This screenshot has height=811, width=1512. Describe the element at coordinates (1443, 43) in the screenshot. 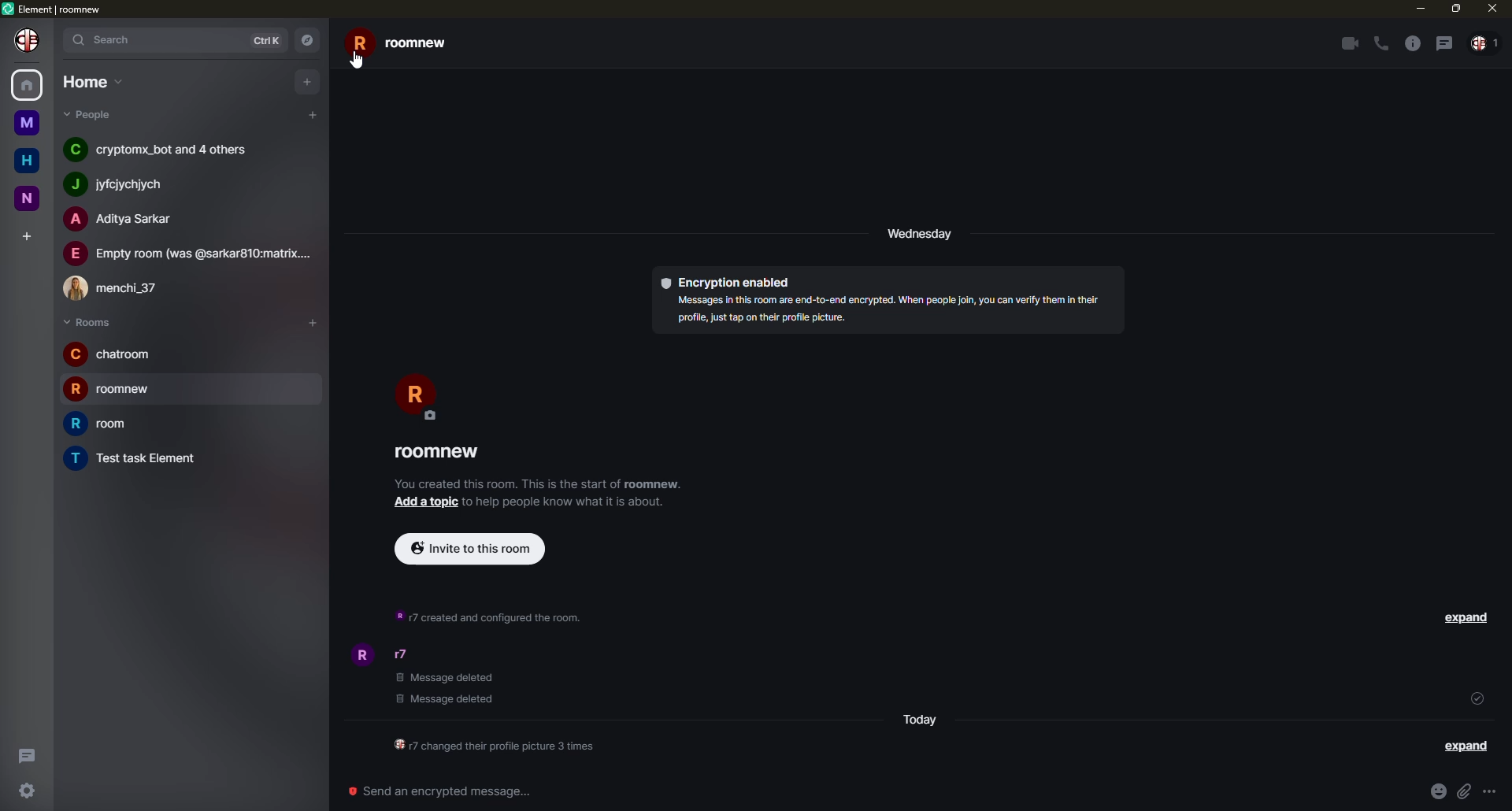

I see `threads` at that location.